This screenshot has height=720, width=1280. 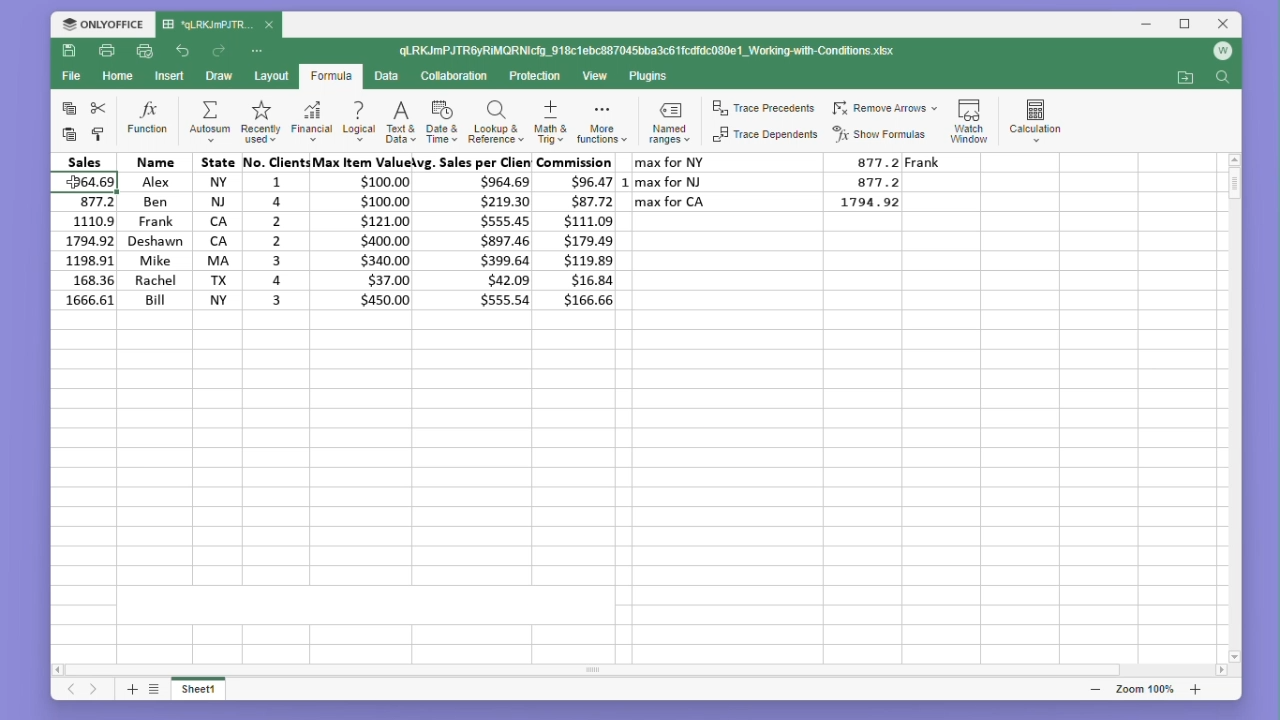 What do you see at coordinates (220, 51) in the screenshot?
I see `Redo` at bounding box center [220, 51].